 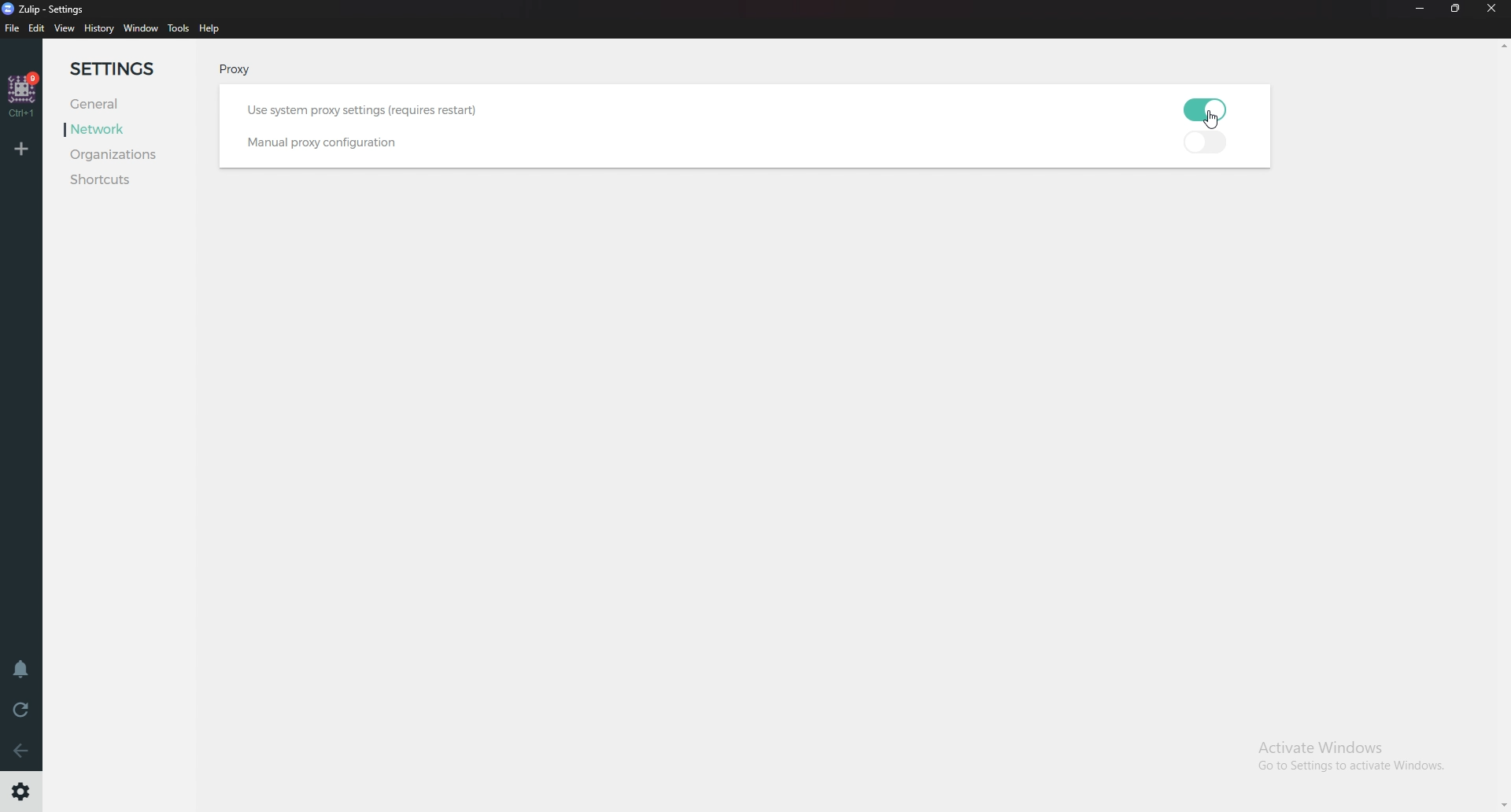 What do you see at coordinates (131, 155) in the screenshot?
I see `Organizations` at bounding box center [131, 155].